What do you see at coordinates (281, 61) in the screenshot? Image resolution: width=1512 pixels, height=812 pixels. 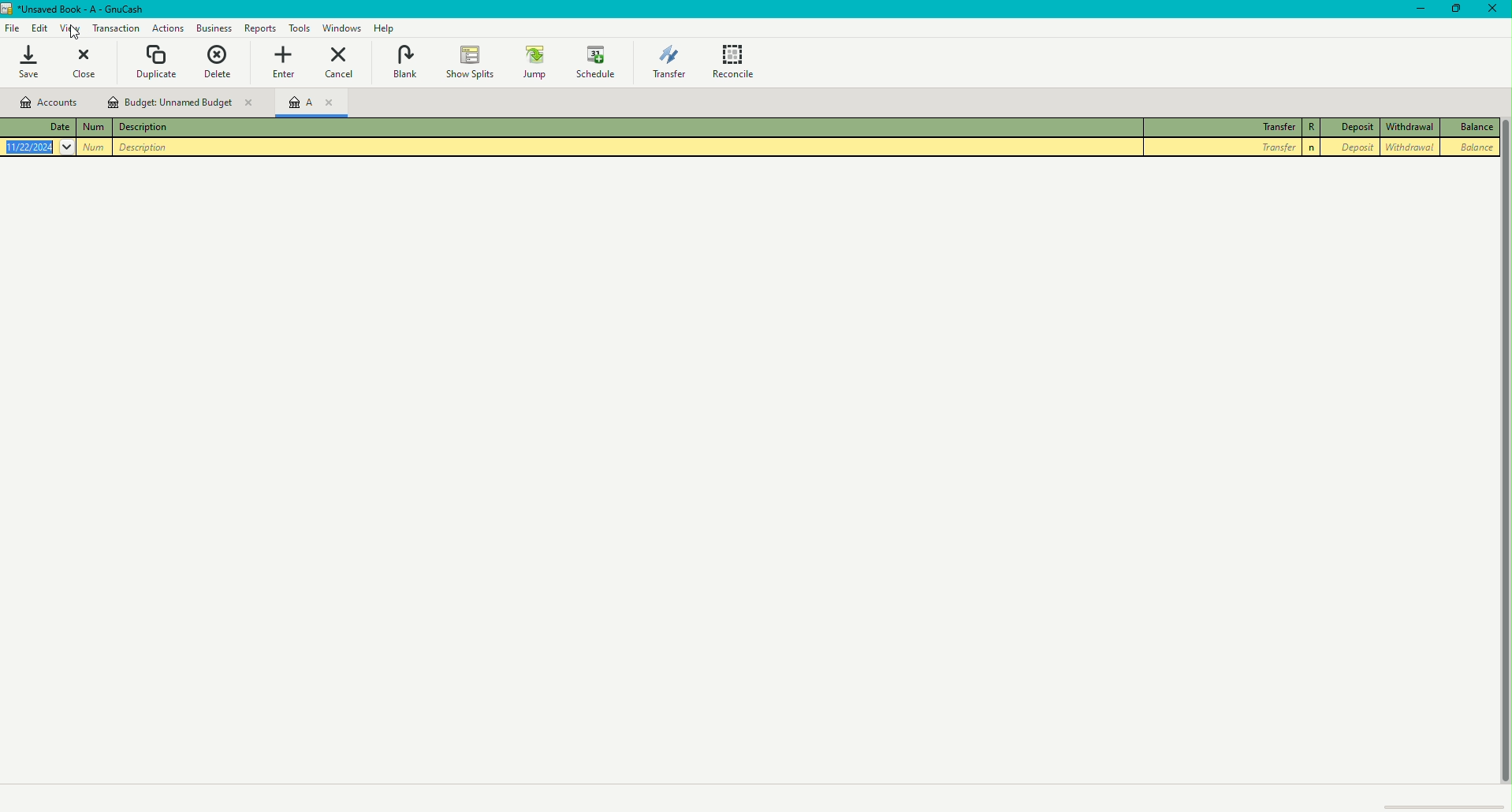 I see `Enter` at bounding box center [281, 61].